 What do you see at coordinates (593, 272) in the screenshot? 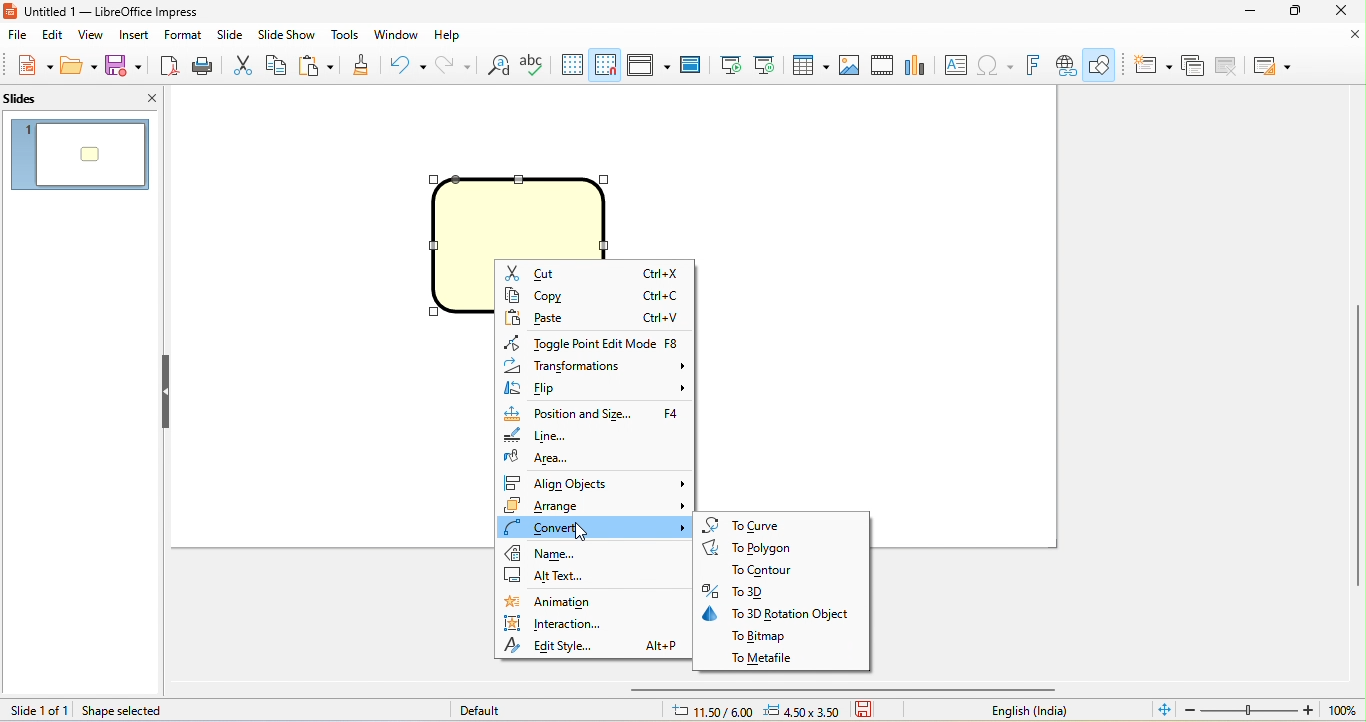
I see `cut` at bounding box center [593, 272].